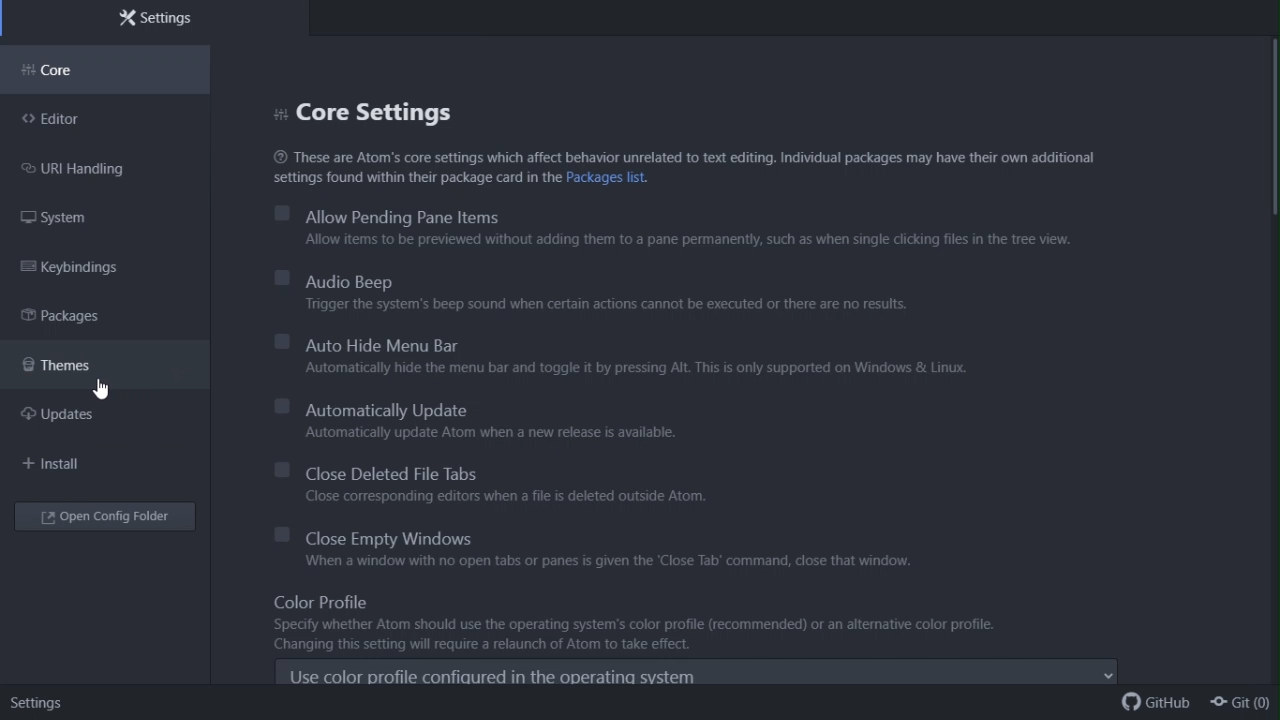  I want to click on packages, so click(83, 315).